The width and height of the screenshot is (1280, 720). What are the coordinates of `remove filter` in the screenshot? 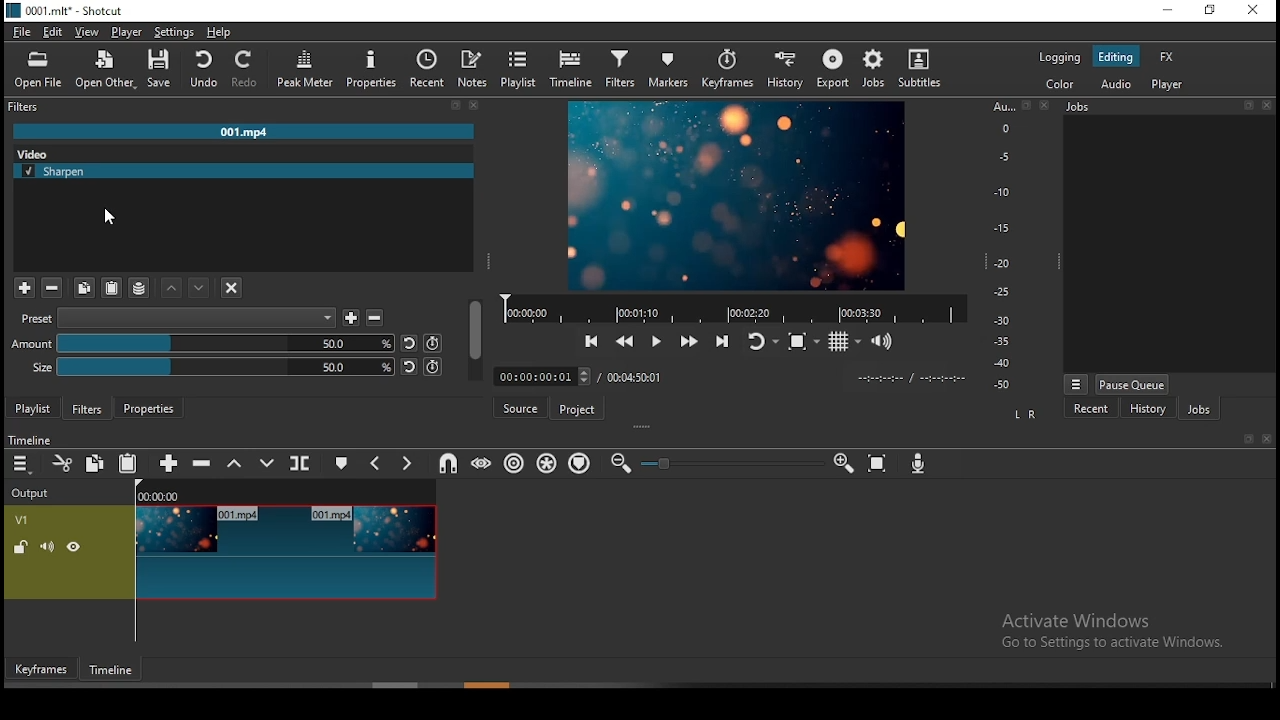 It's located at (53, 288).